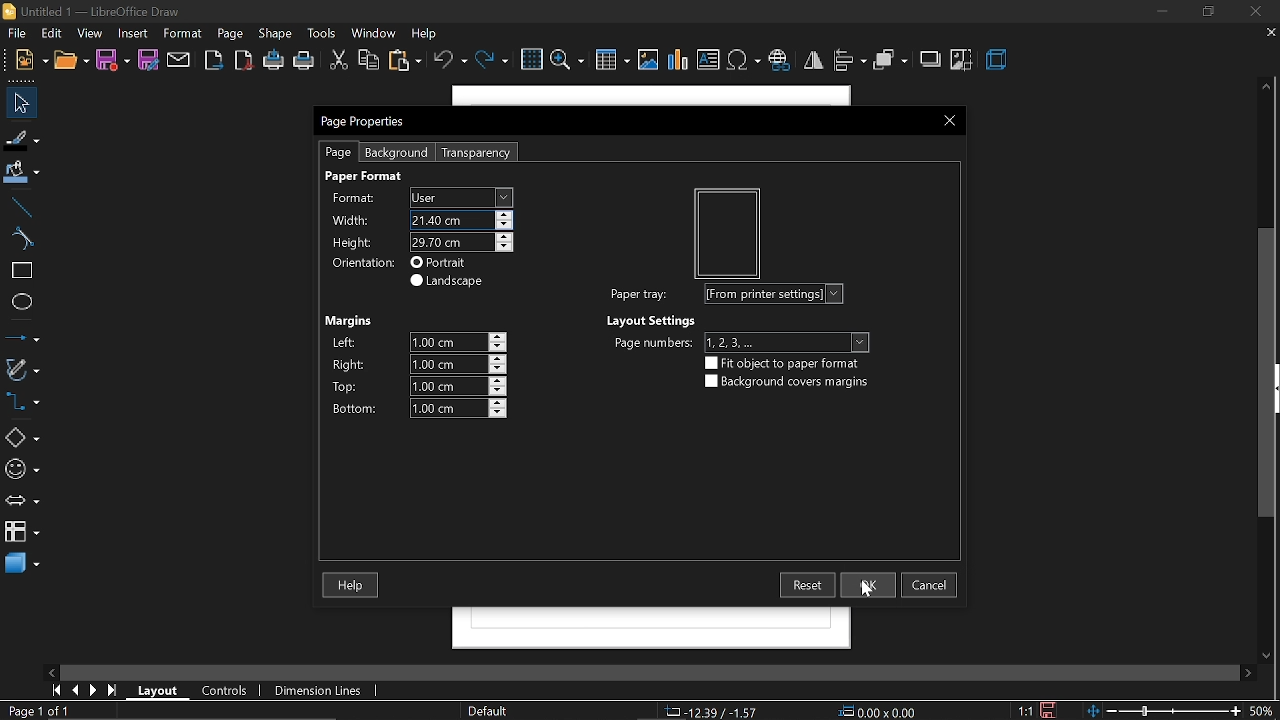 Image resolution: width=1280 pixels, height=720 pixels. Describe the element at coordinates (50, 672) in the screenshot. I see `move left` at that location.